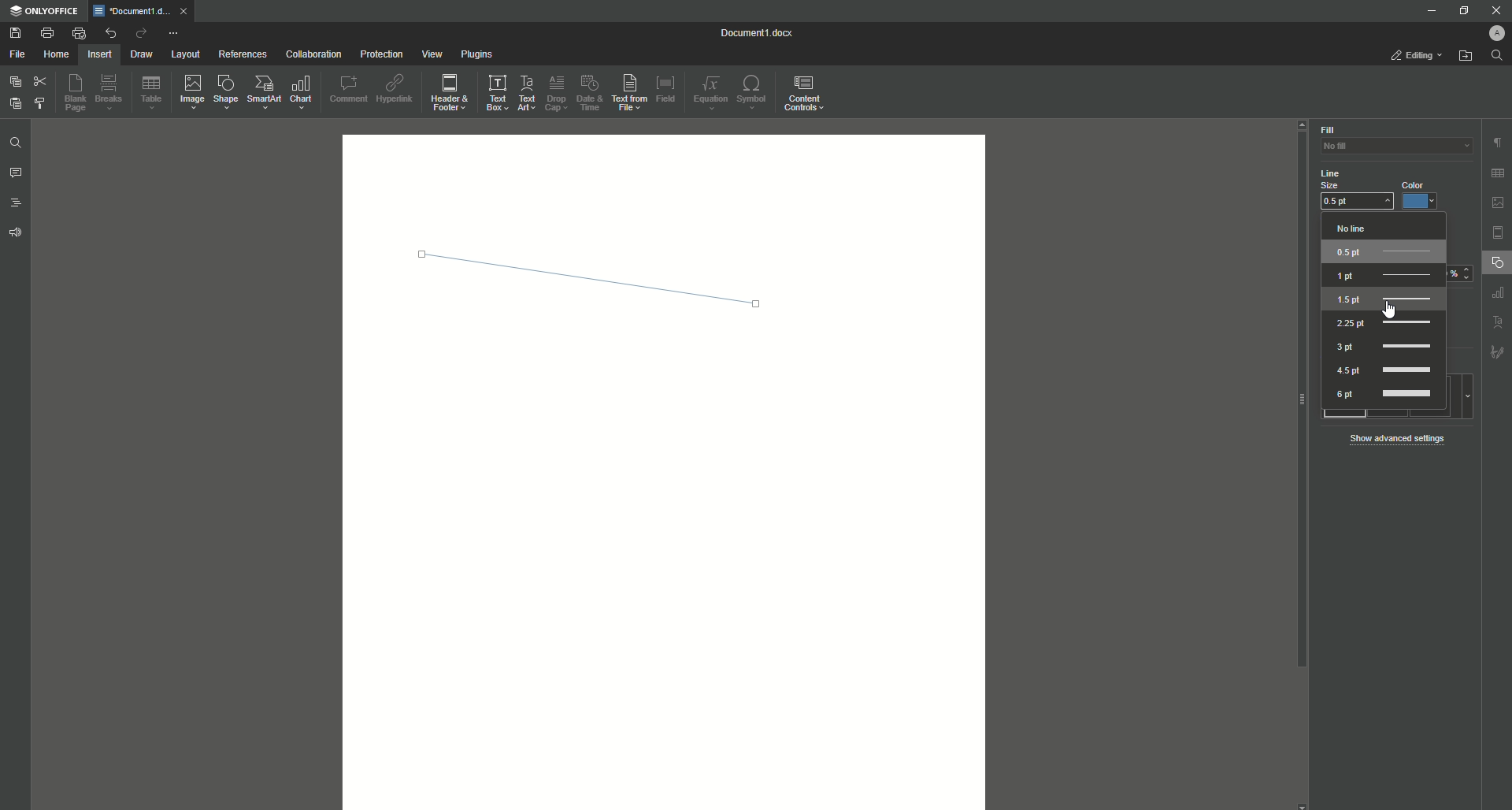  What do you see at coordinates (1403, 438) in the screenshot?
I see `Show Advanced Settings` at bounding box center [1403, 438].